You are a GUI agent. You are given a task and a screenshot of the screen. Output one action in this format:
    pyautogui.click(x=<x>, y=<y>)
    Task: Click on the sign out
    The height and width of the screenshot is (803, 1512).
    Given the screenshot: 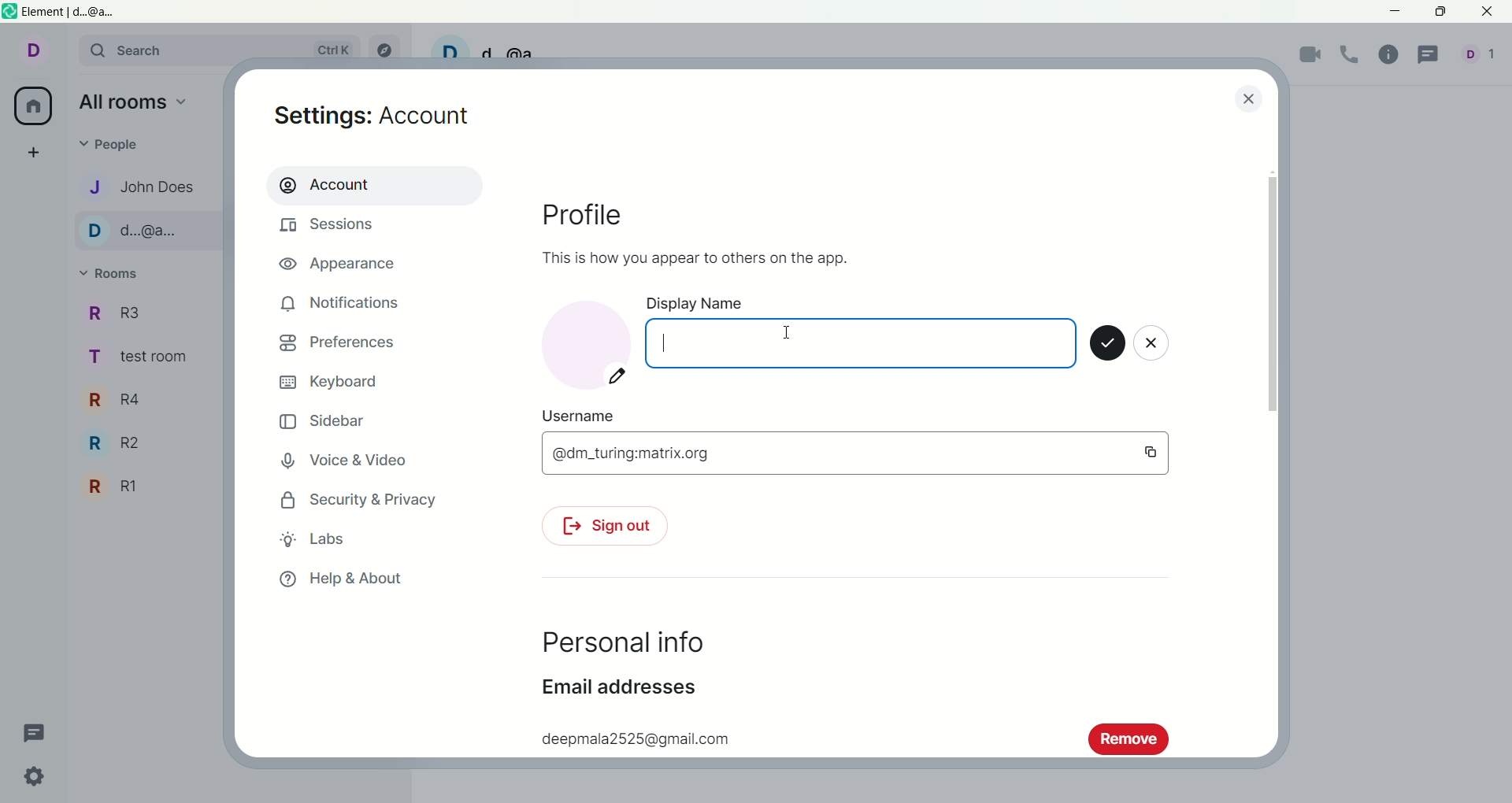 What is the action you would take?
    pyautogui.click(x=602, y=528)
    